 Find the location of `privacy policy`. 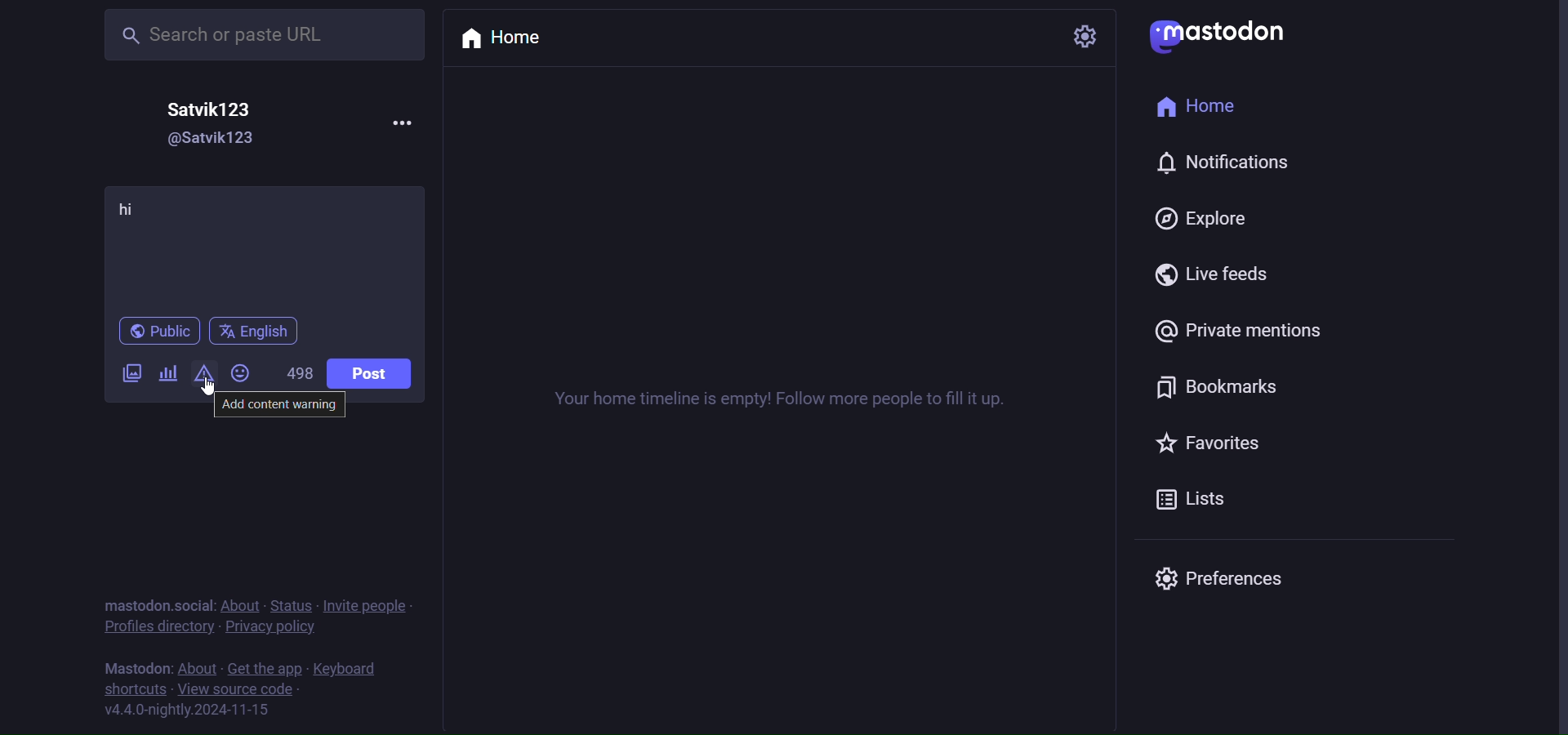

privacy policy is located at coordinates (273, 630).